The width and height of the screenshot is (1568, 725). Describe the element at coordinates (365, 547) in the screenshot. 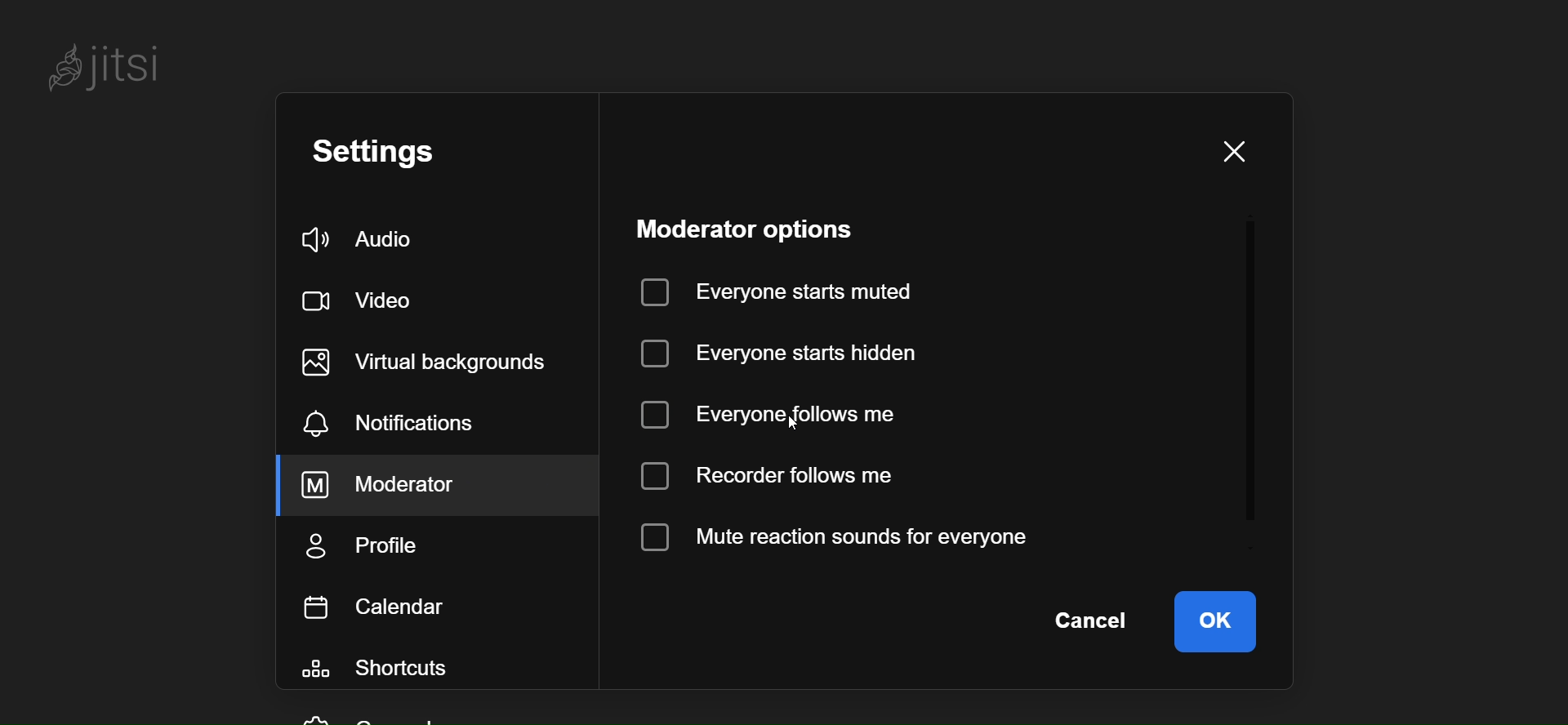

I see `profile` at that location.